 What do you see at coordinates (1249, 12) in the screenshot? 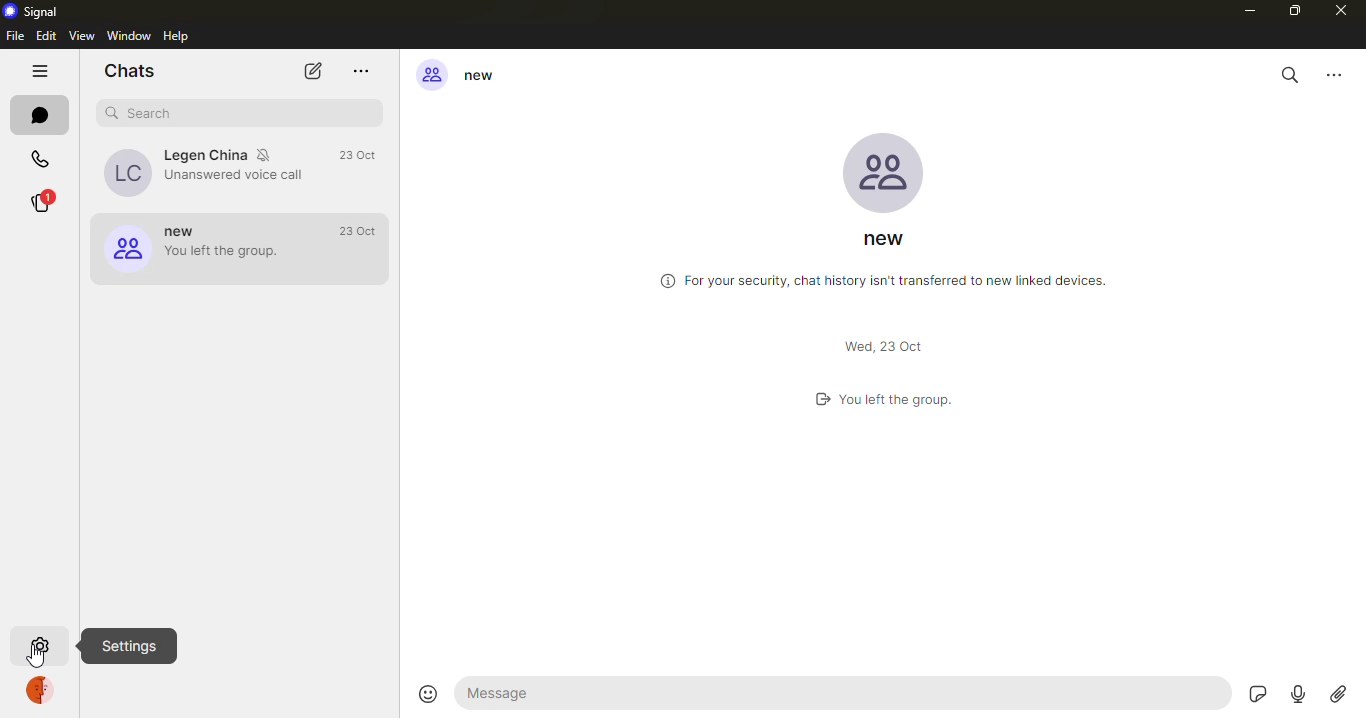
I see `minimize` at bounding box center [1249, 12].